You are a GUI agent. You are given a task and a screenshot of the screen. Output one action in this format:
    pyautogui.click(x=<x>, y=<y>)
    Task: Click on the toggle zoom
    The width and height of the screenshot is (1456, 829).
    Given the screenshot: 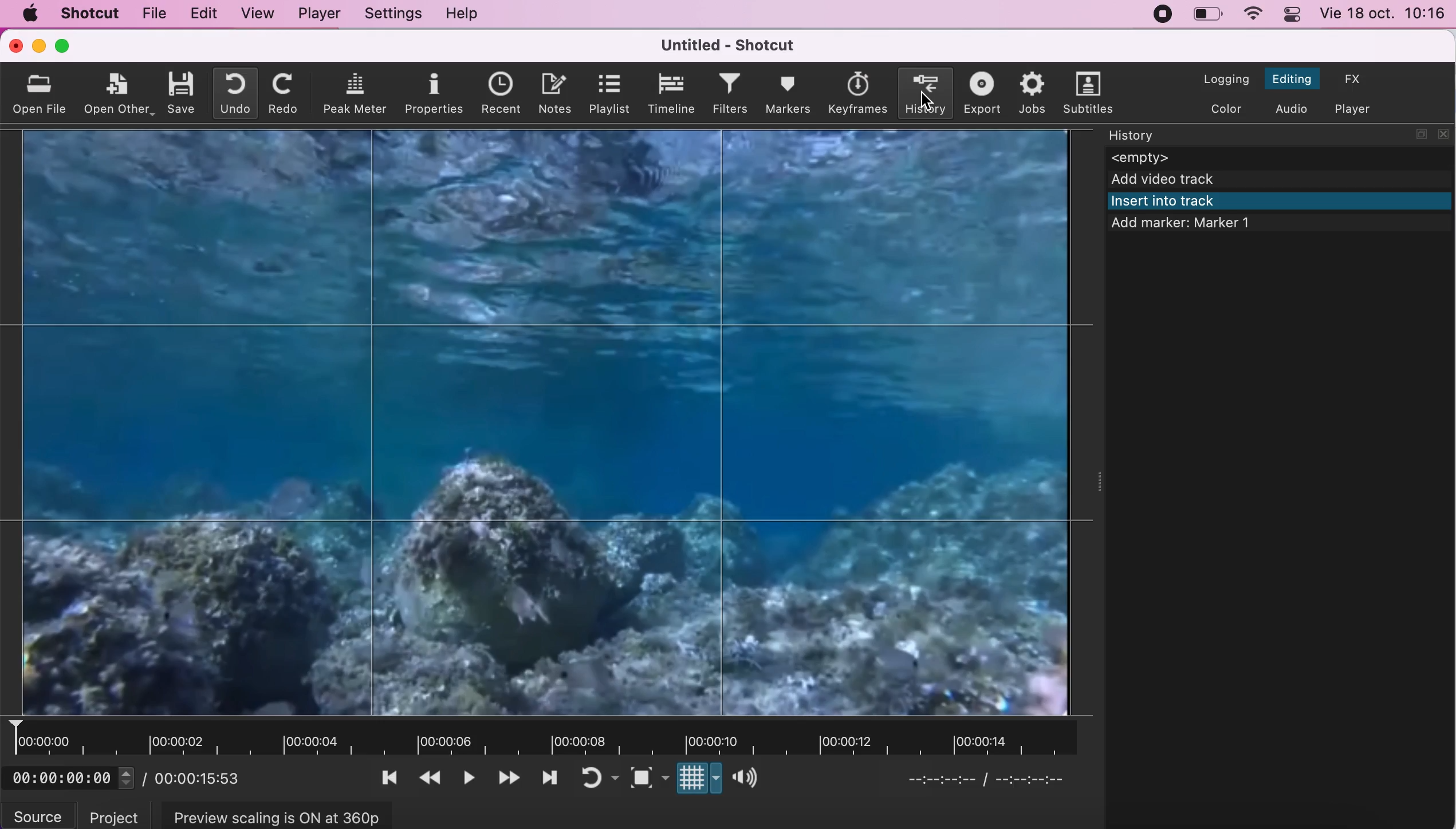 What is the action you would take?
    pyautogui.click(x=648, y=777)
    